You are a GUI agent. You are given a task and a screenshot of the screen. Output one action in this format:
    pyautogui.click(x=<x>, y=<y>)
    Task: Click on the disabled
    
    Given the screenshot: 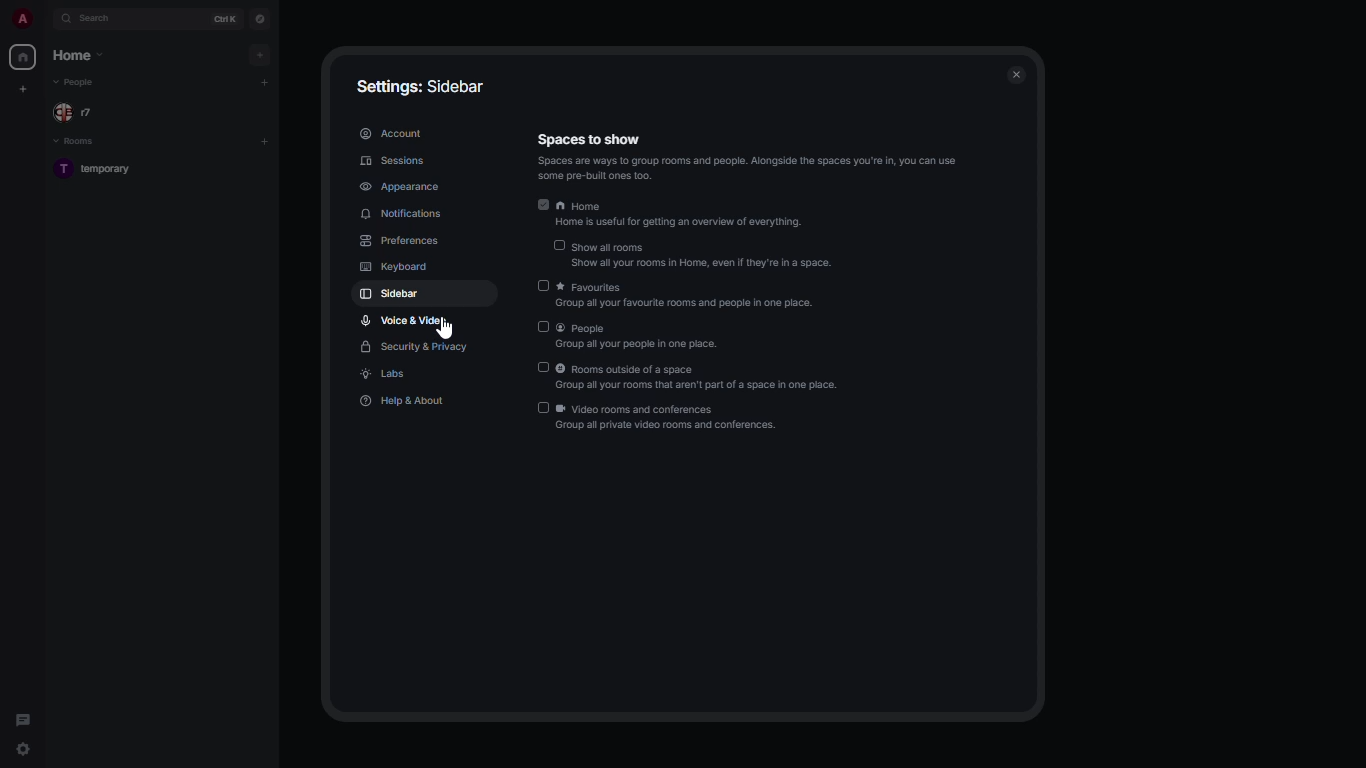 What is the action you would take?
    pyautogui.click(x=557, y=246)
    